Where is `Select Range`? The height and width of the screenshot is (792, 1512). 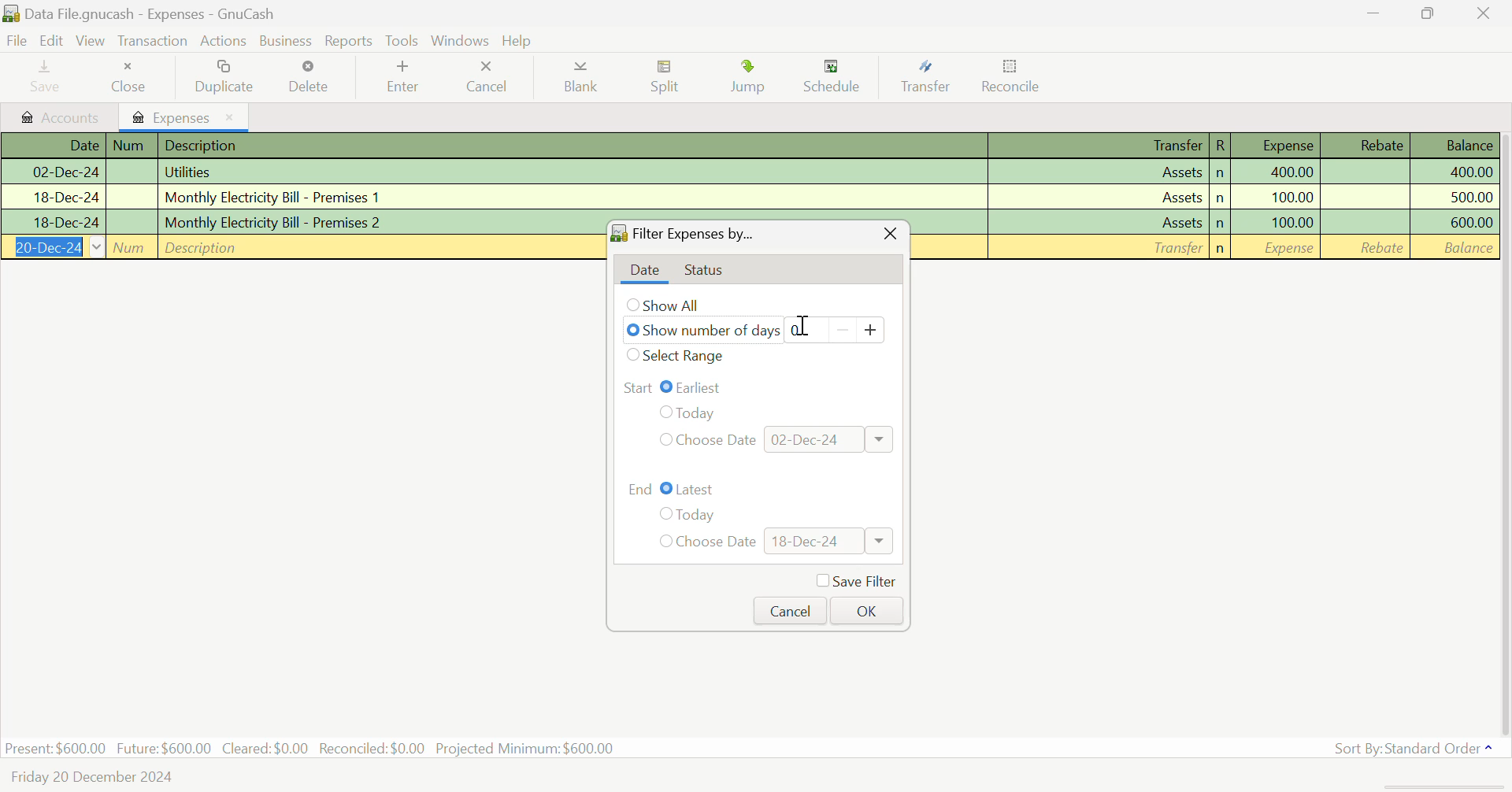
Select Range is located at coordinates (682, 359).